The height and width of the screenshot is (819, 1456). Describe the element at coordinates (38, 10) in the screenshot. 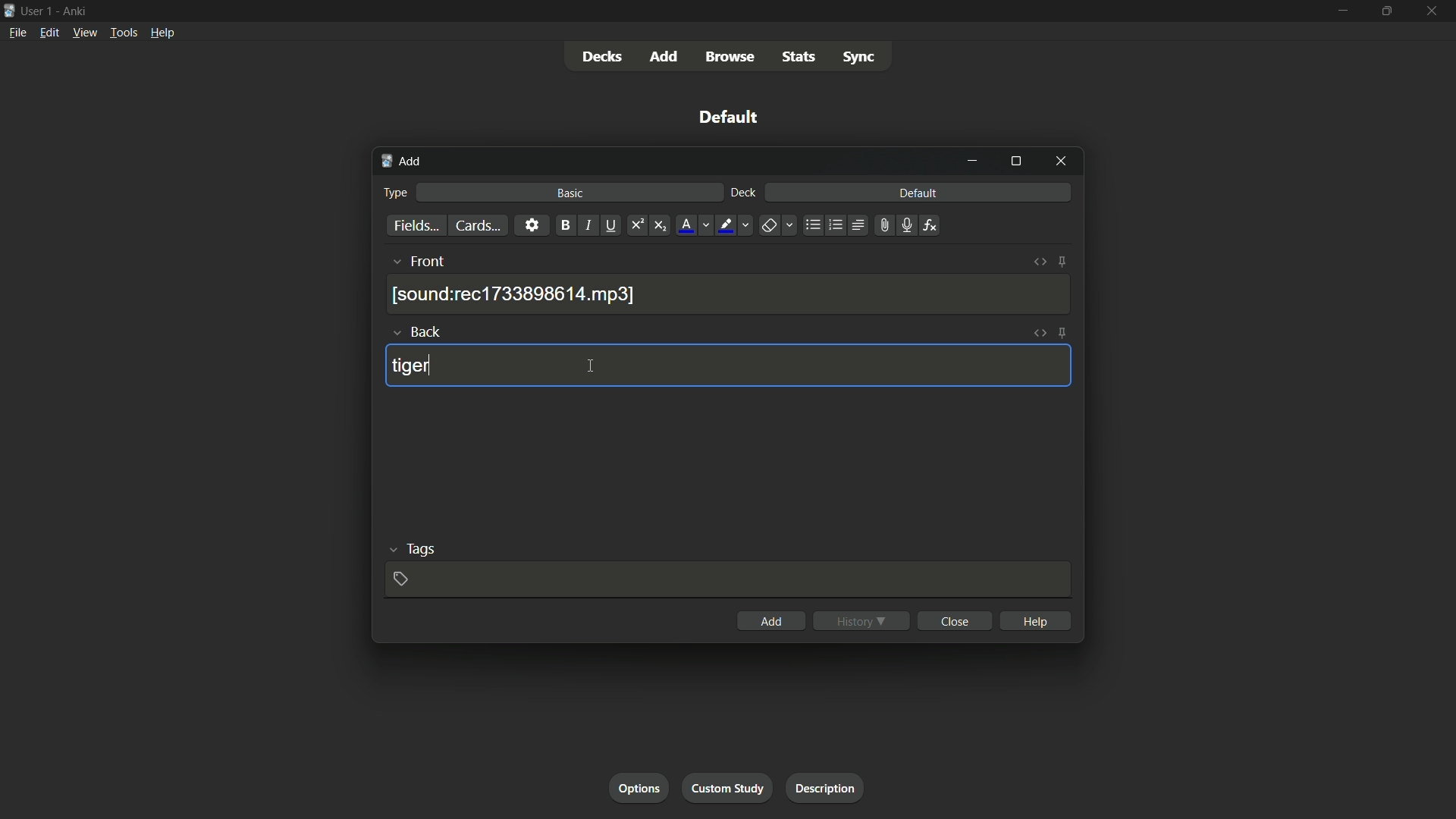

I see `user 1` at that location.